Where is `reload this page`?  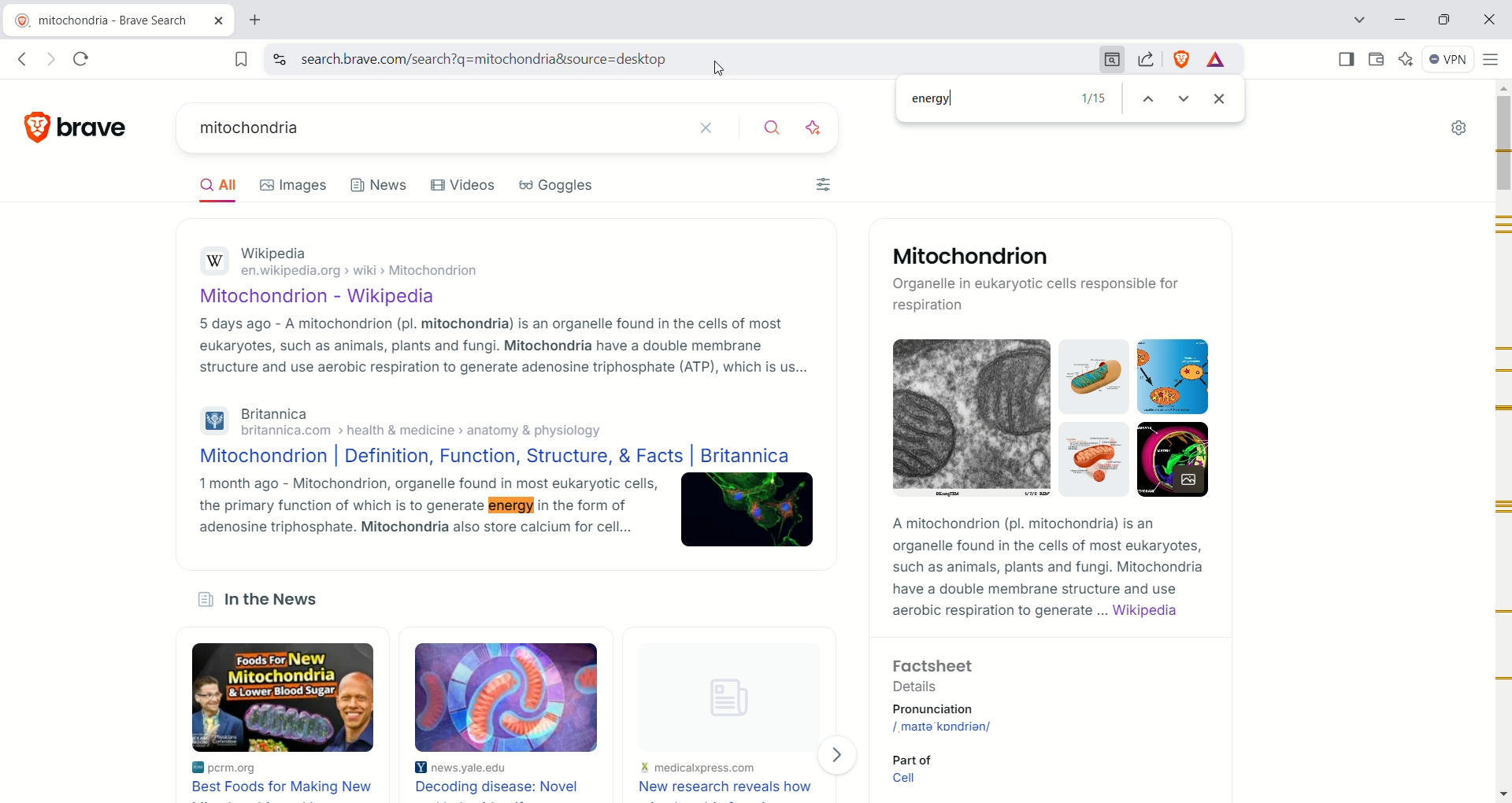
reload this page is located at coordinates (77, 60).